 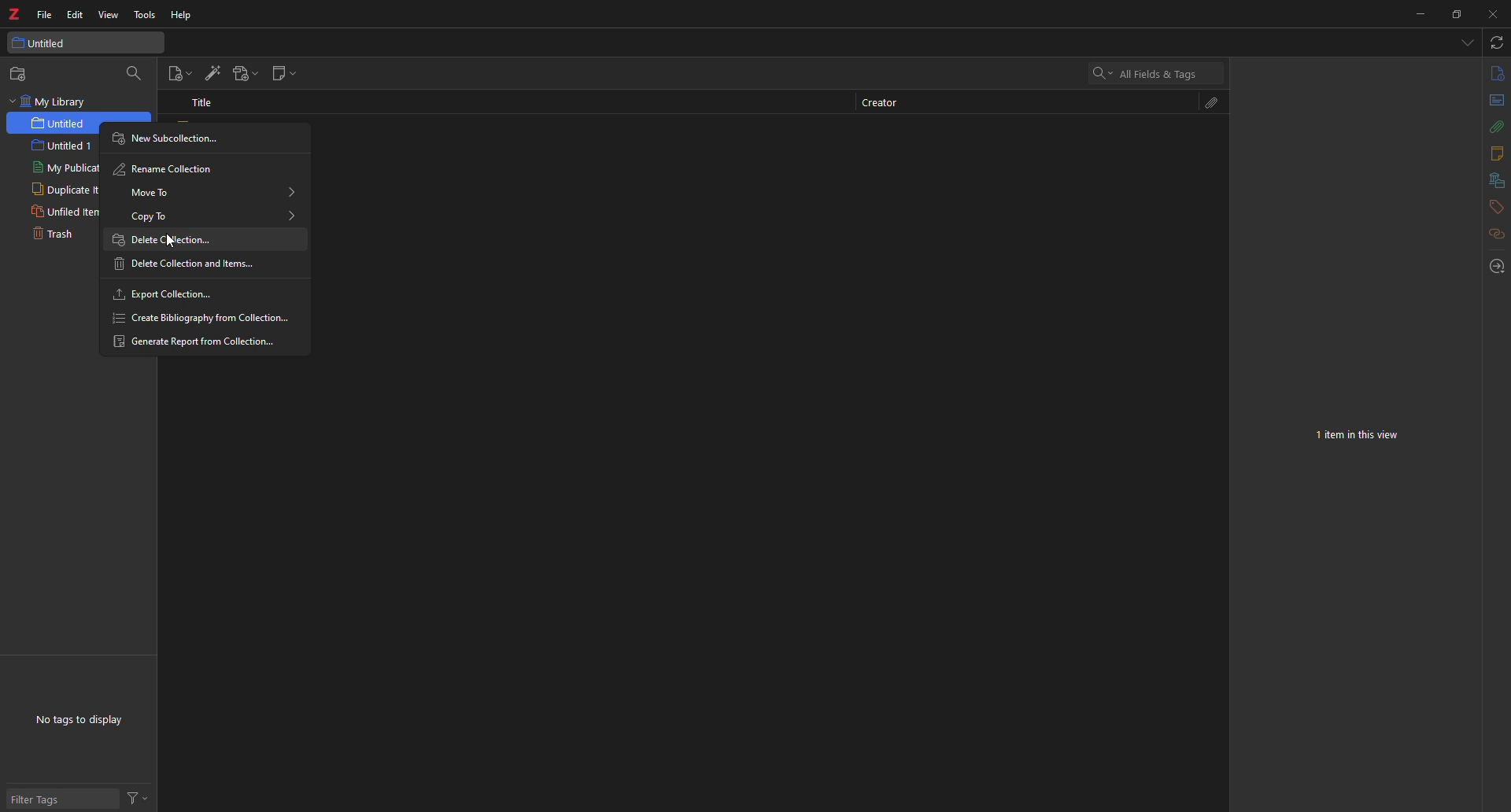 I want to click on add attach, so click(x=247, y=73).